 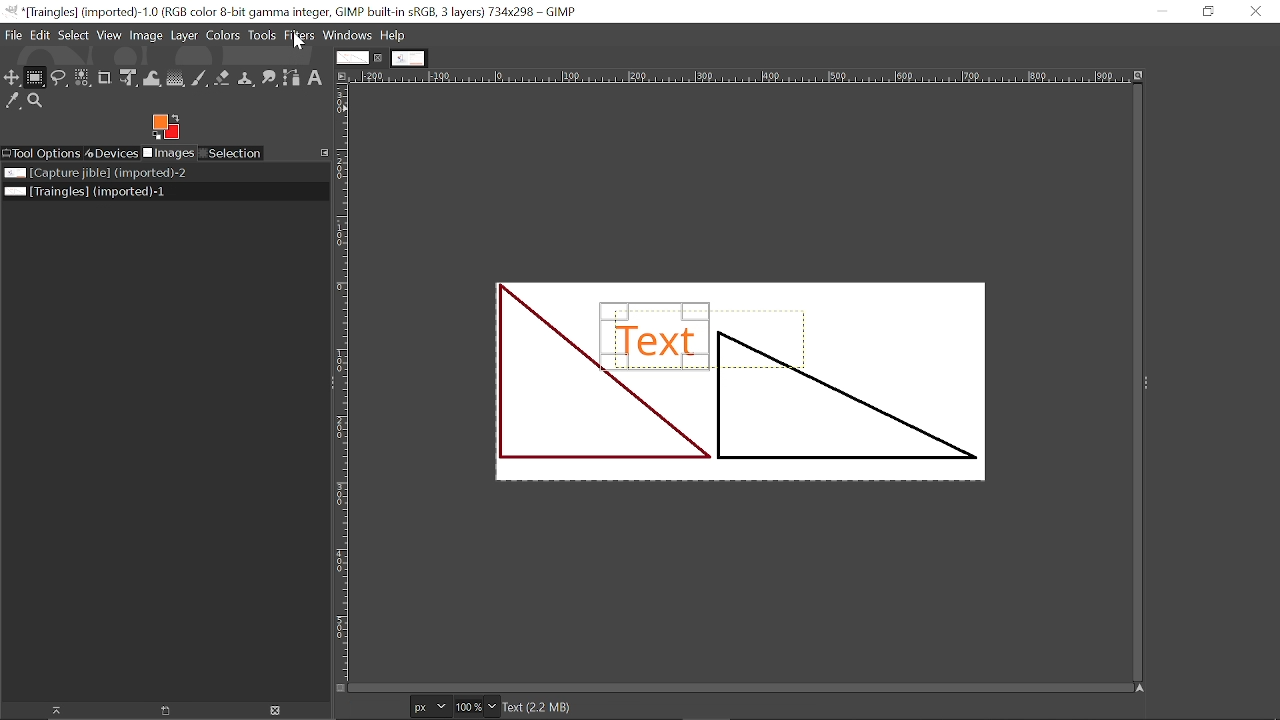 What do you see at coordinates (274, 710) in the screenshot?
I see `Delete Image` at bounding box center [274, 710].